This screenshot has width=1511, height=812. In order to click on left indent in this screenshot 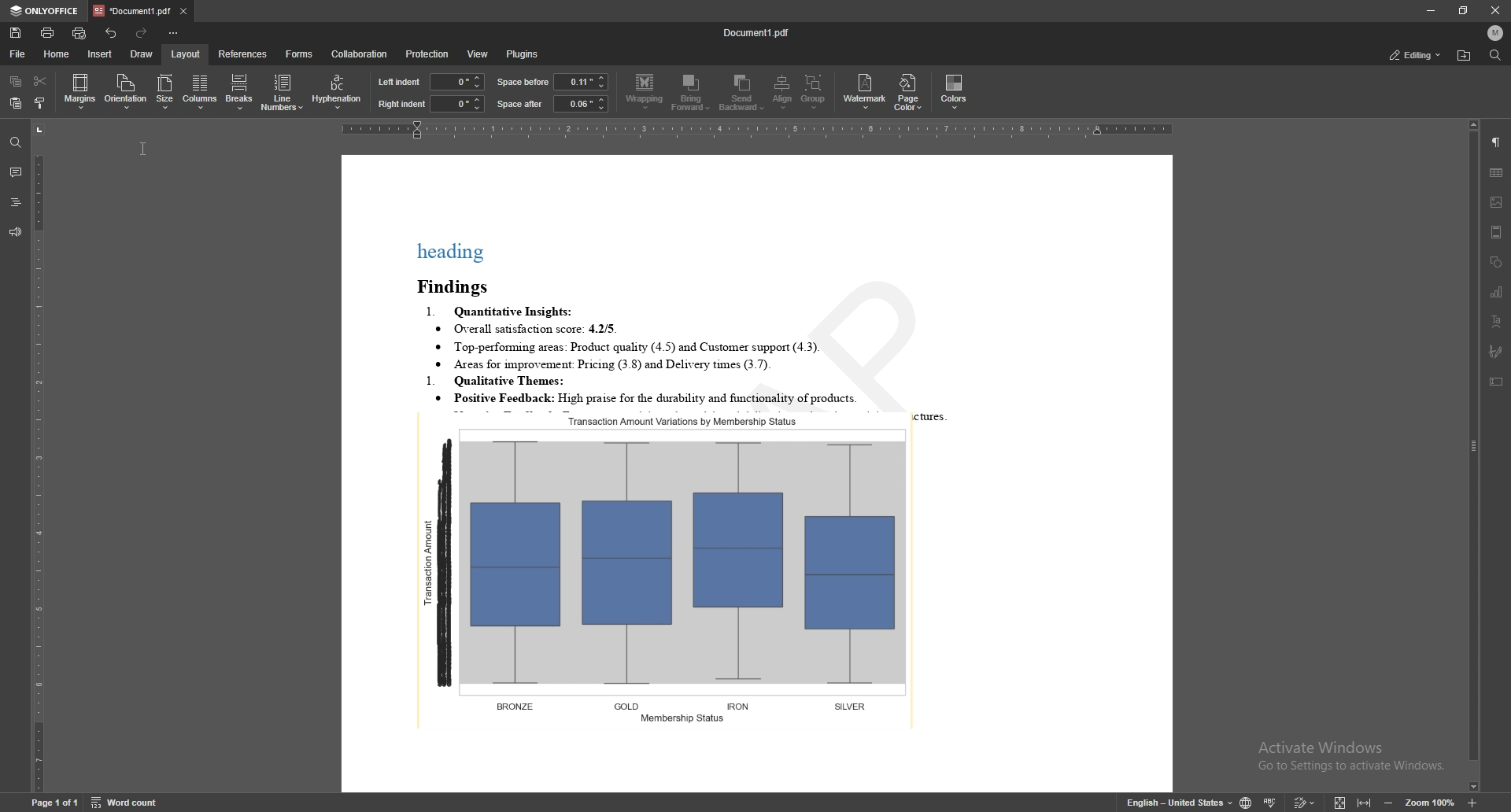, I will do `click(400, 82)`.